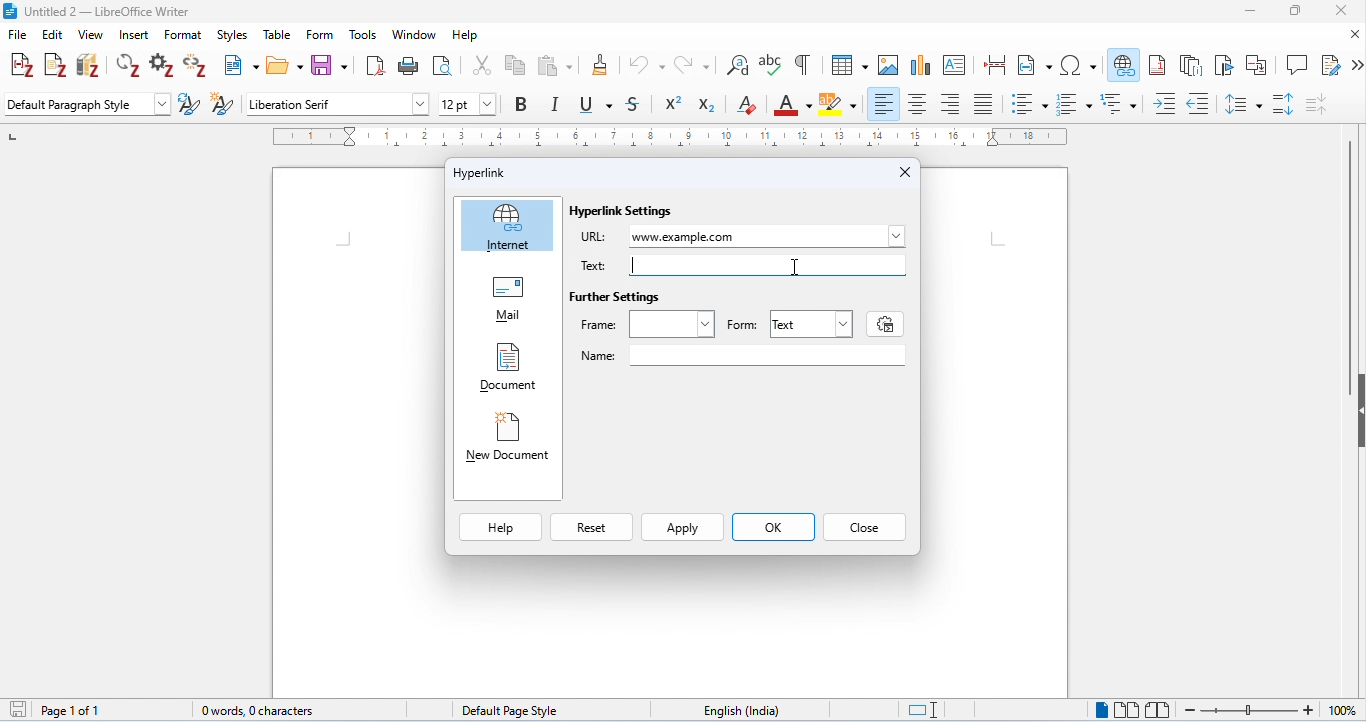 The width and height of the screenshot is (1366, 722). Describe the element at coordinates (959, 66) in the screenshot. I see `insert text box` at that location.